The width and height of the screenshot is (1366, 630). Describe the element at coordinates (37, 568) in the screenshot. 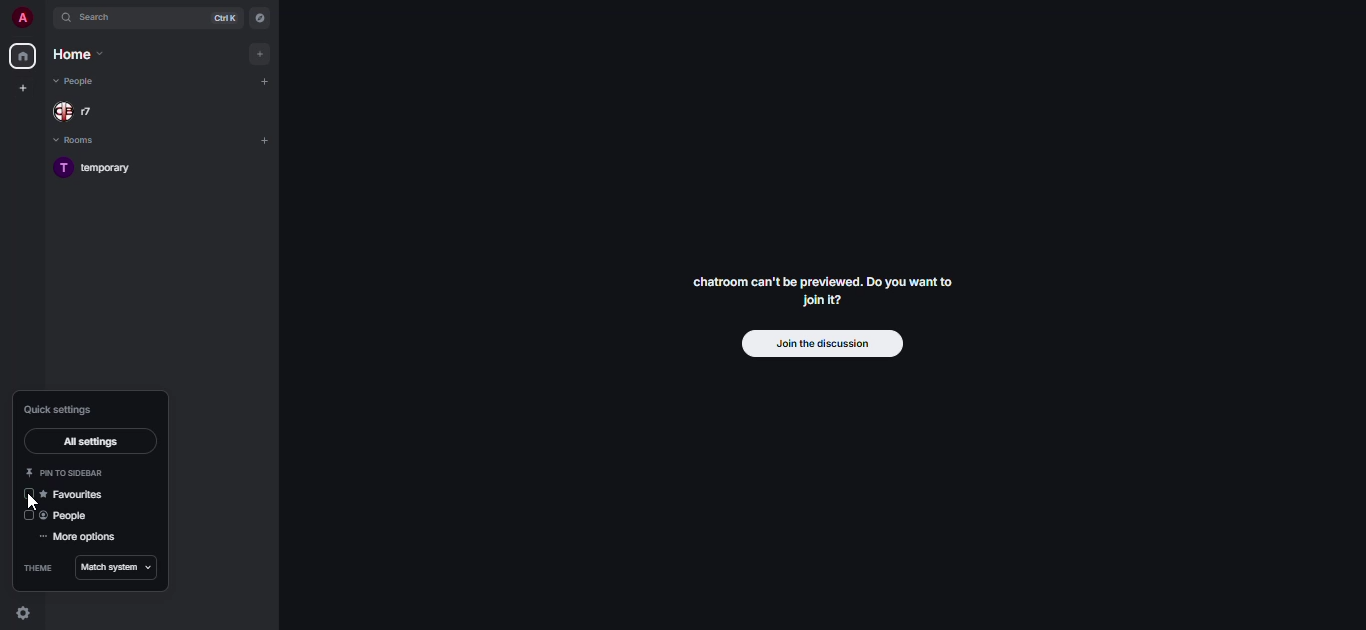

I see `theme` at that location.